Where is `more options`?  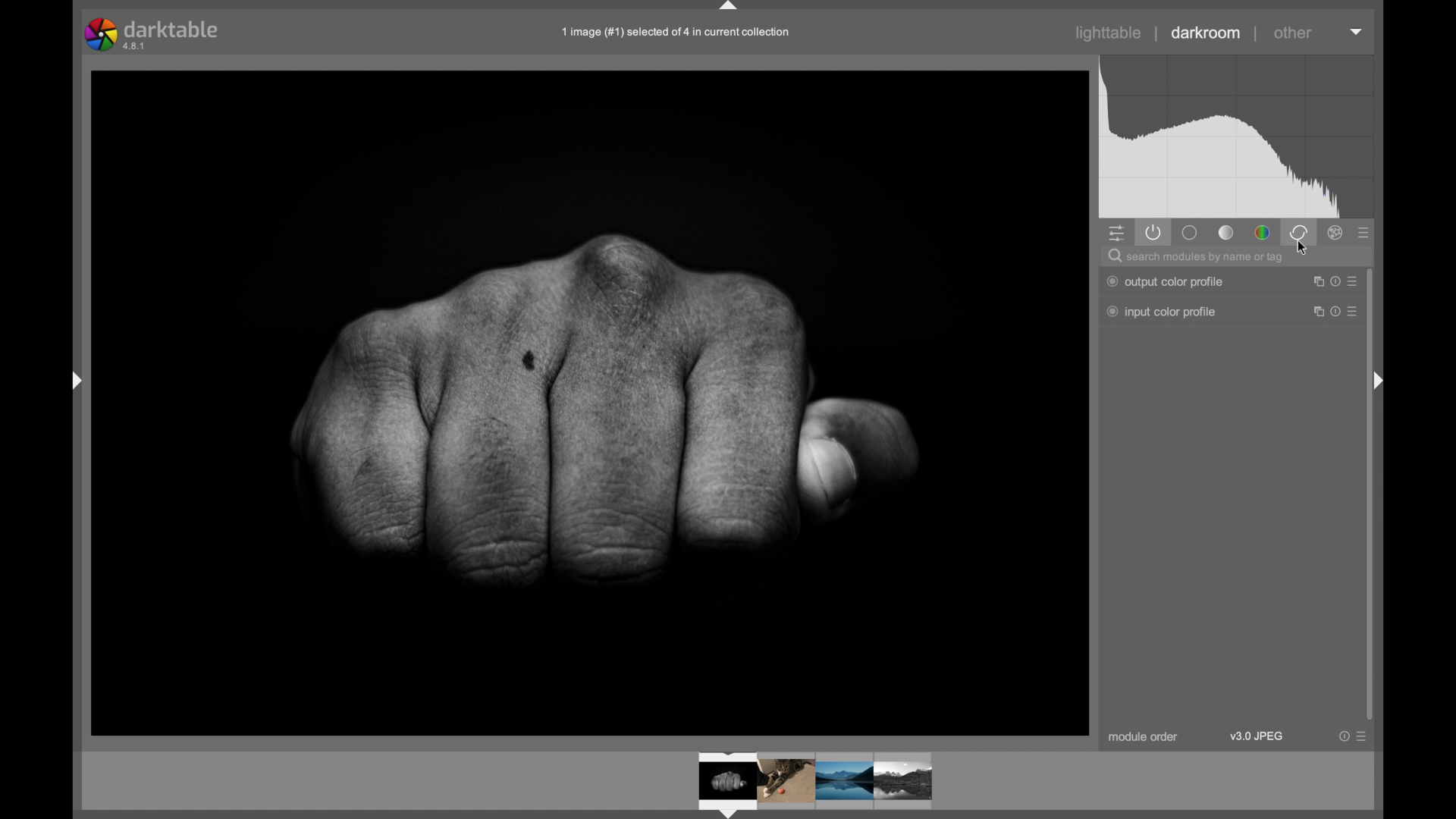 more options is located at coordinates (1354, 313).